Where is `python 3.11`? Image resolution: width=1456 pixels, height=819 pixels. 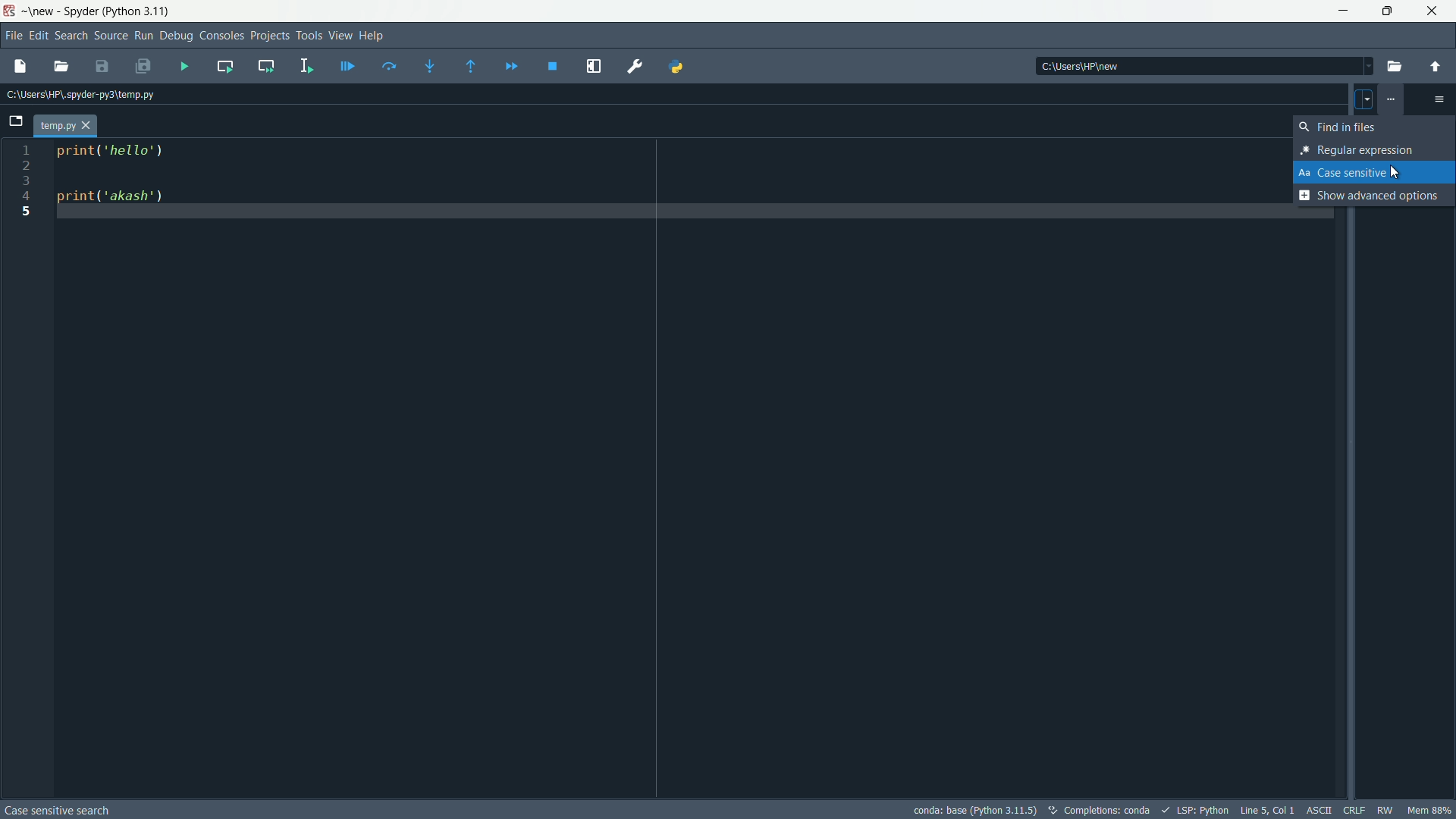
python 3.11 is located at coordinates (140, 10).